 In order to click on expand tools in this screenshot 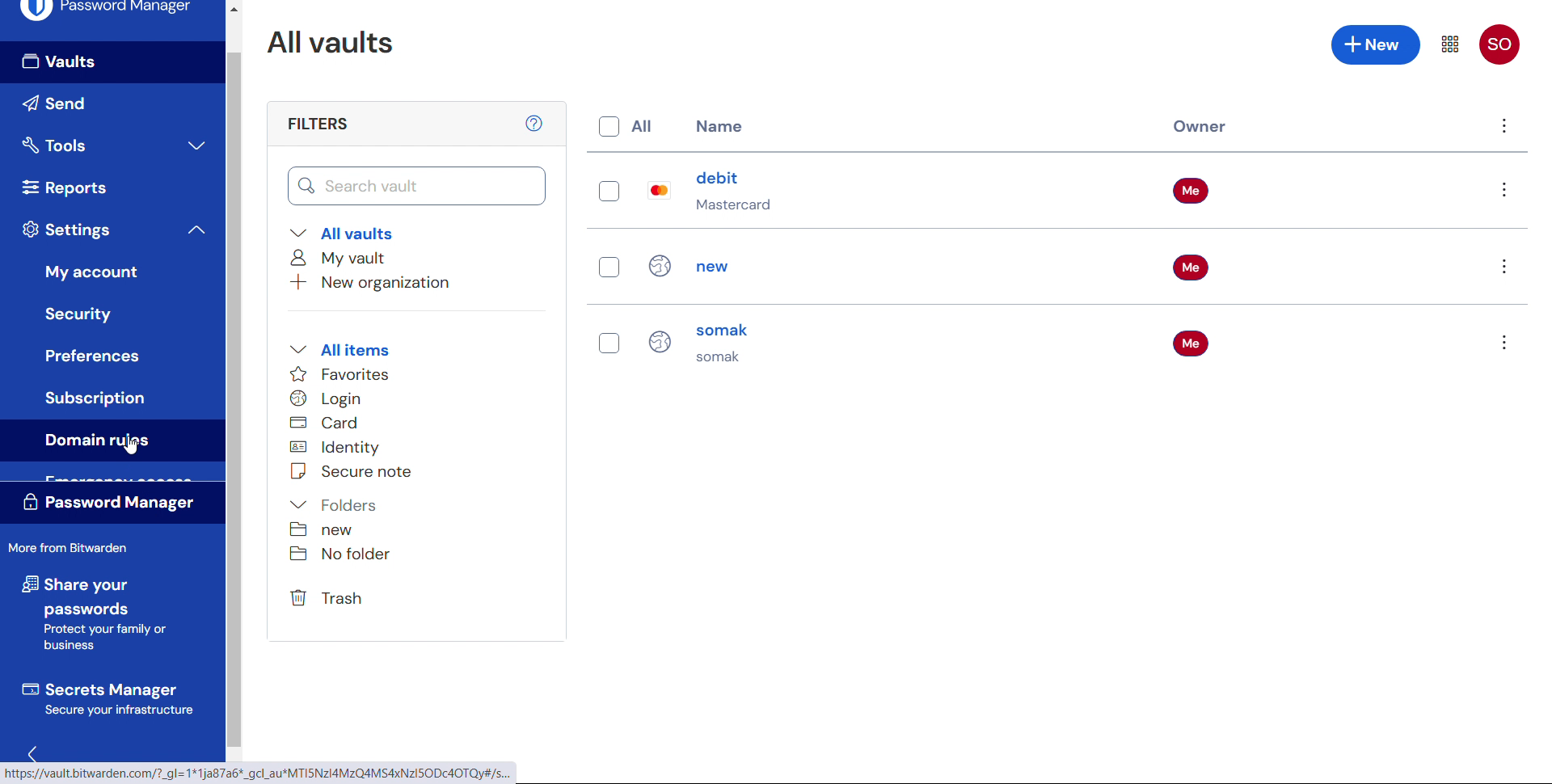, I will do `click(196, 144)`.